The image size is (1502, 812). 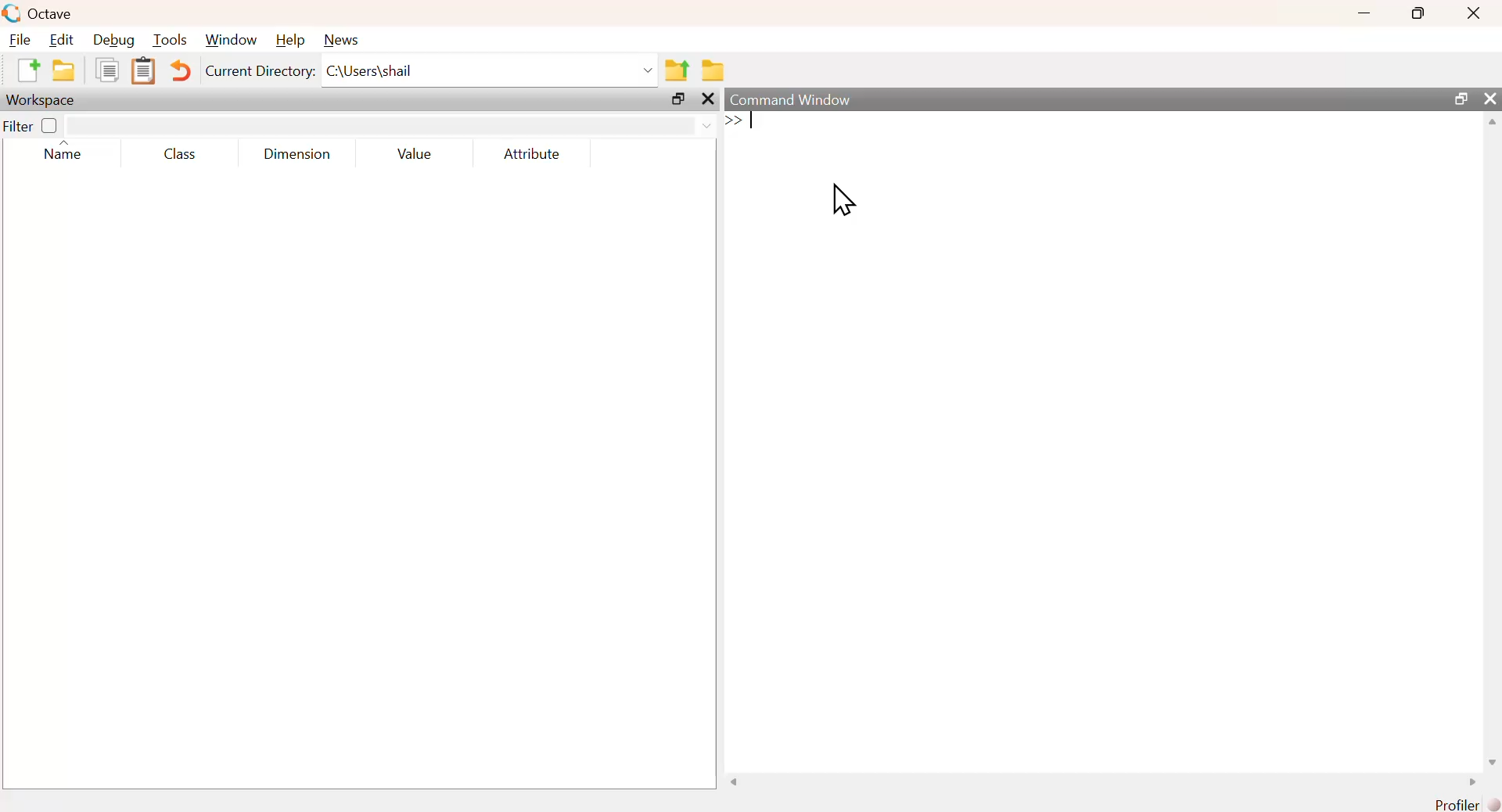 What do you see at coordinates (49, 125) in the screenshot?
I see `off` at bounding box center [49, 125].